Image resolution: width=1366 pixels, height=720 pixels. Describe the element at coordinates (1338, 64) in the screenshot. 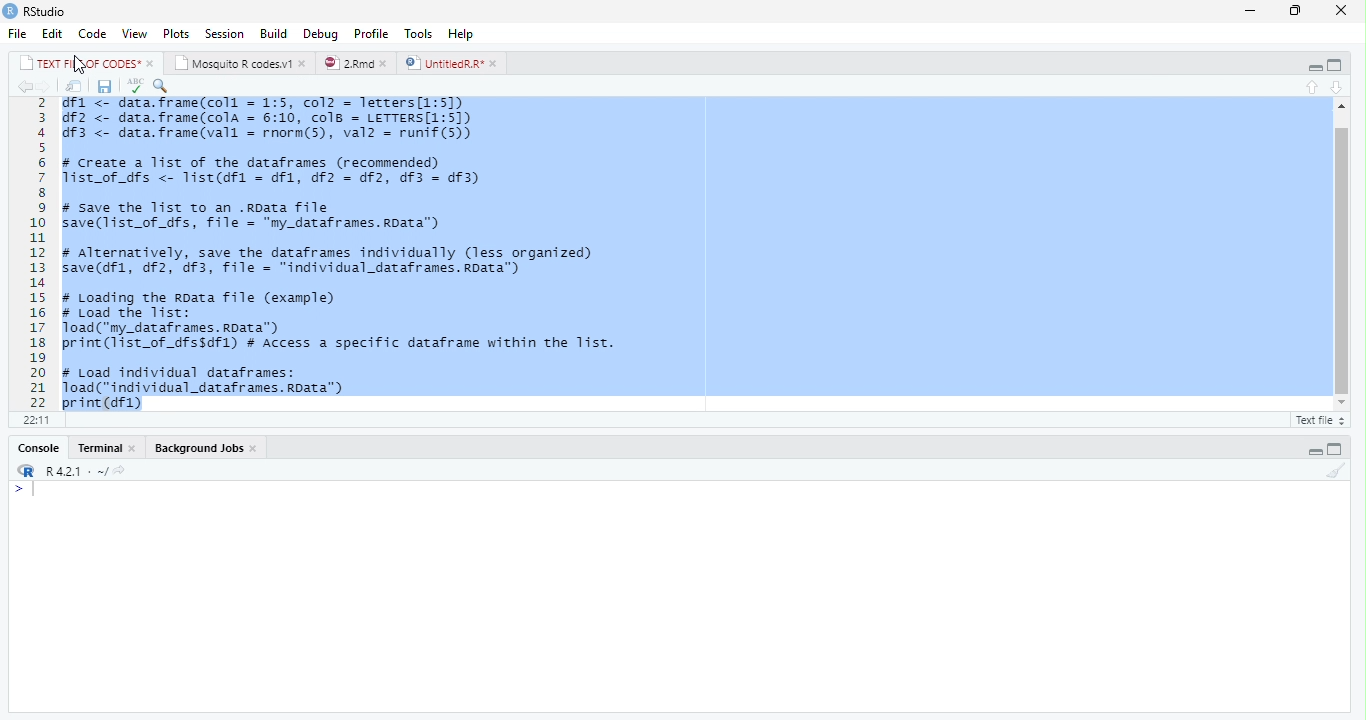

I see `Full Height` at that location.